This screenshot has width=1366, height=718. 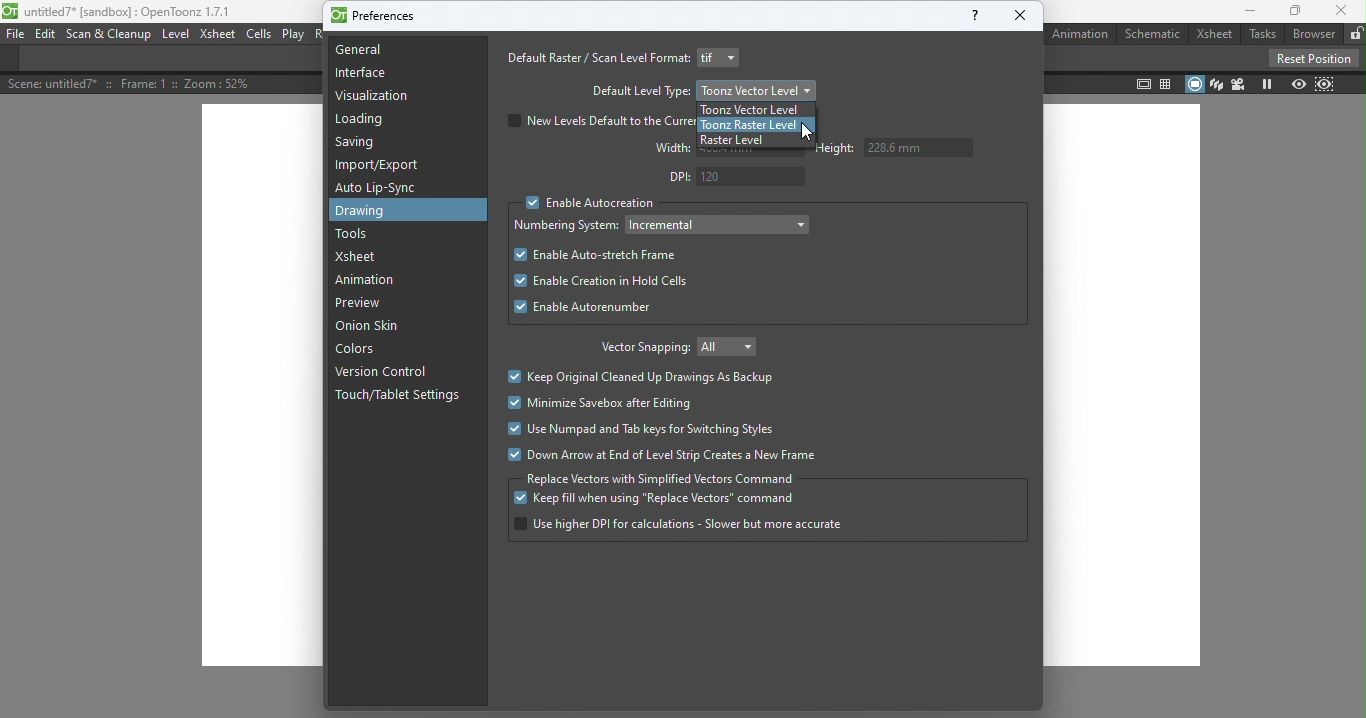 What do you see at coordinates (732, 348) in the screenshot?
I see `Drop down` at bounding box center [732, 348].